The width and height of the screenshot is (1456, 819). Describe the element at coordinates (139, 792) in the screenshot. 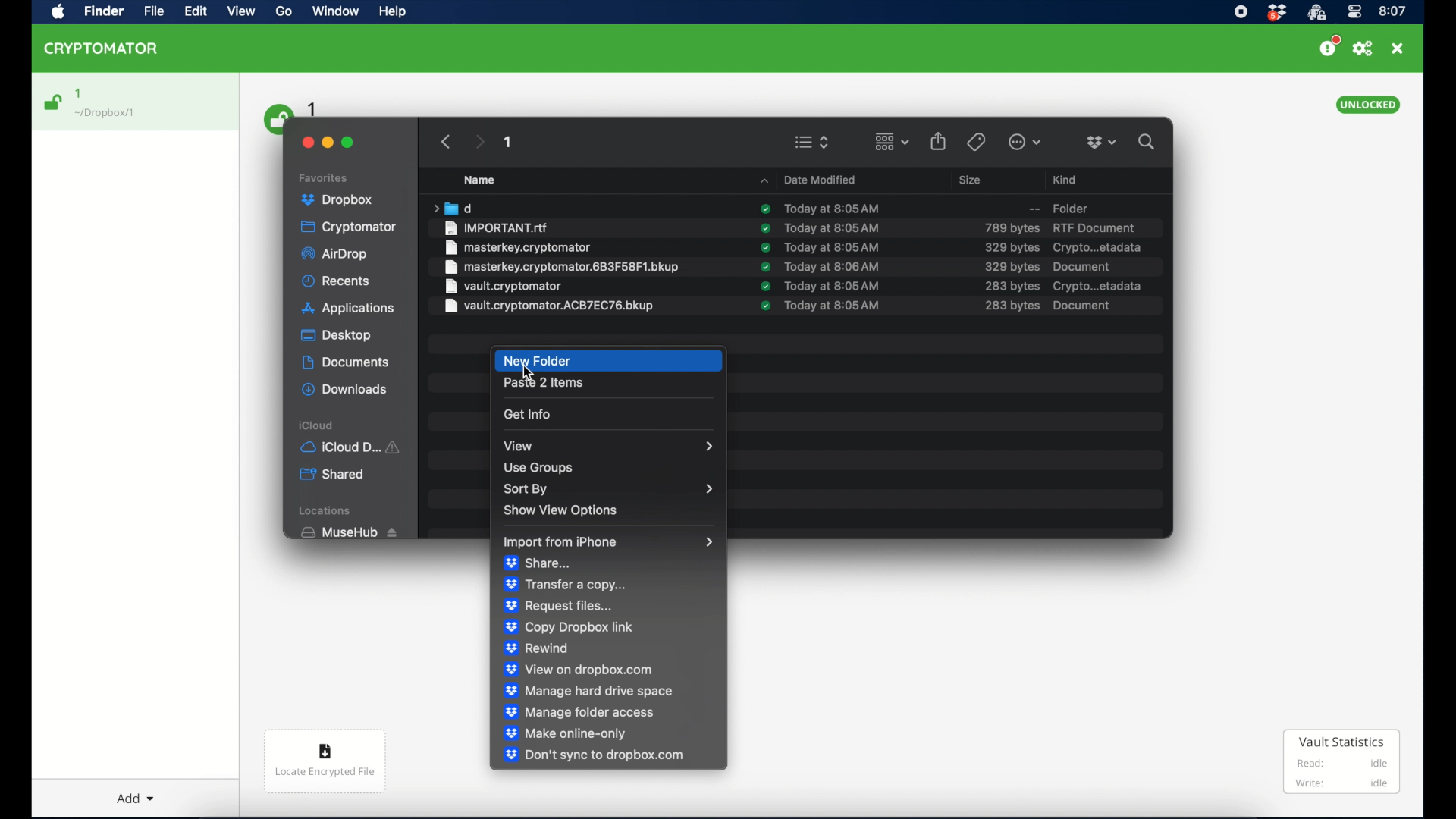

I see `Add dropdown` at that location.